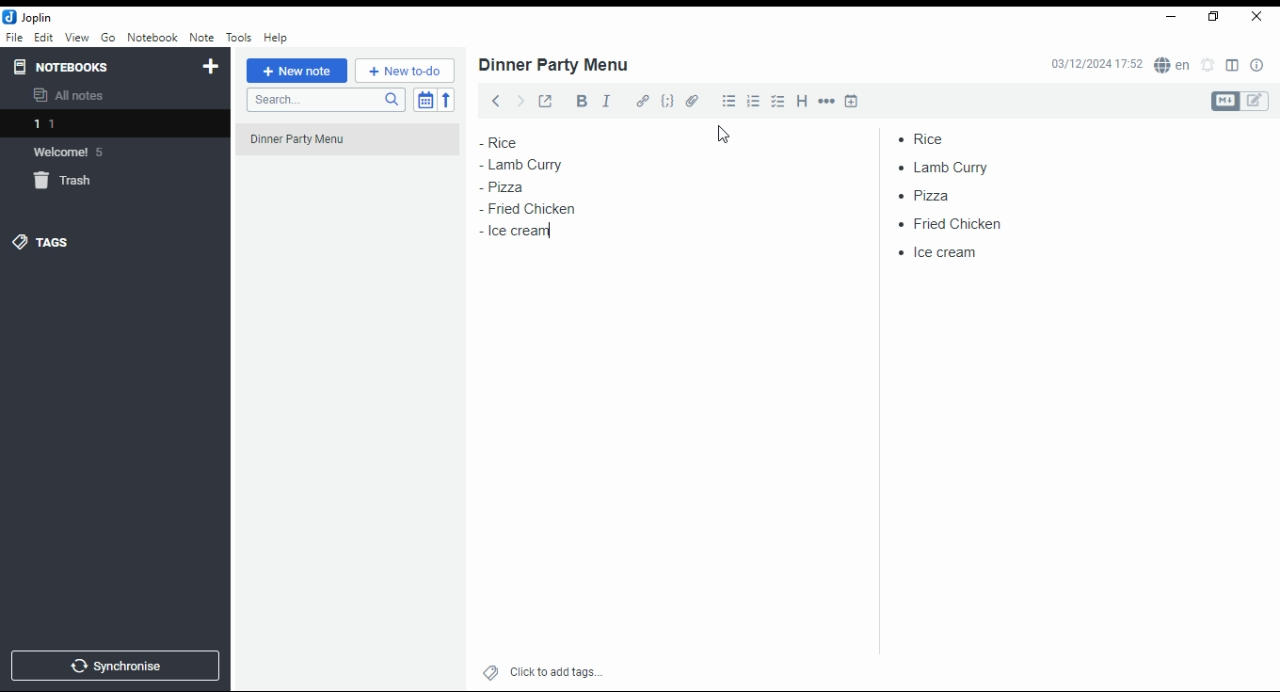 This screenshot has width=1280, height=692. I want to click on hyperlink, so click(643, 102).